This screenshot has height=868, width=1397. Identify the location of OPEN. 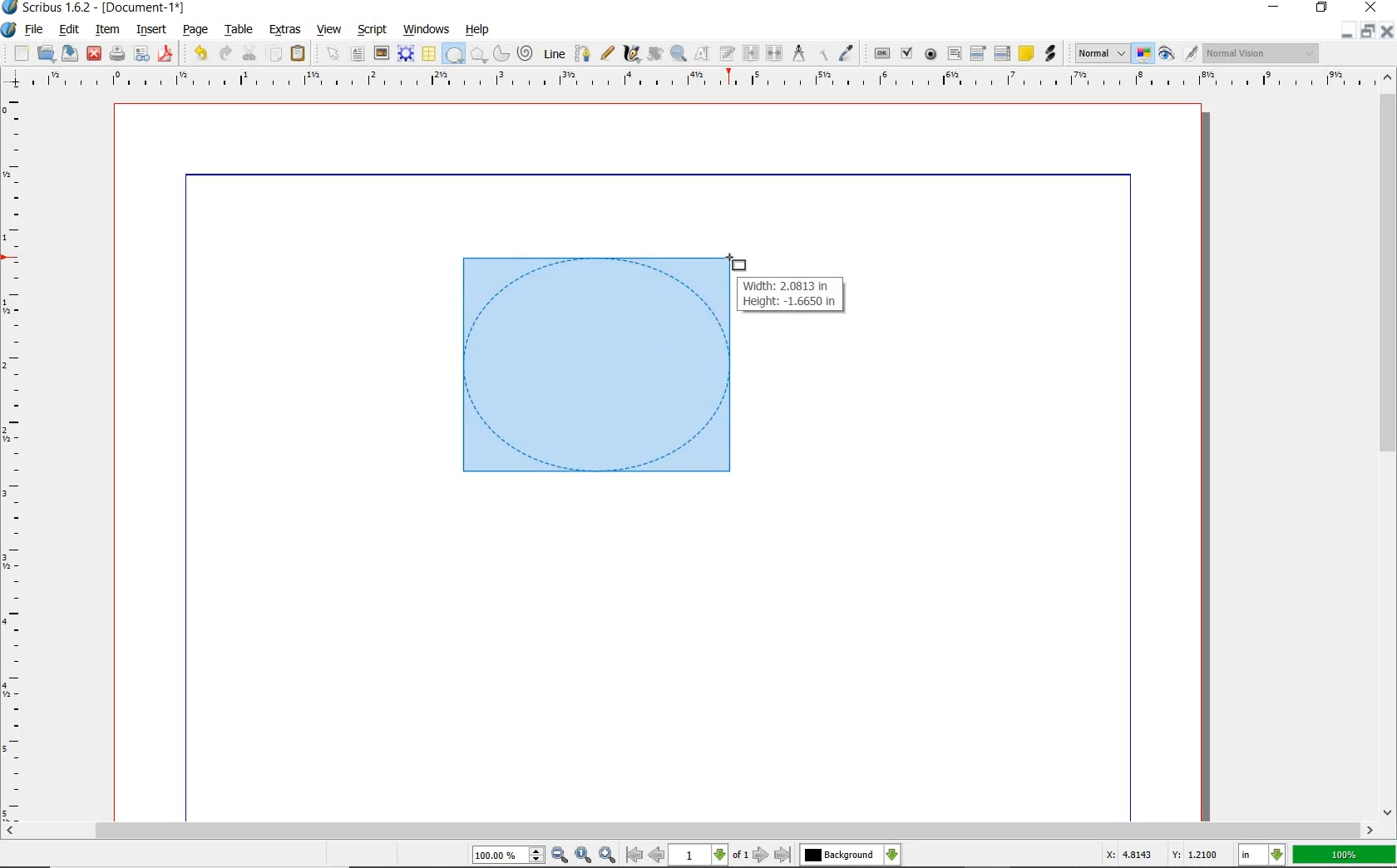
(46, 52).